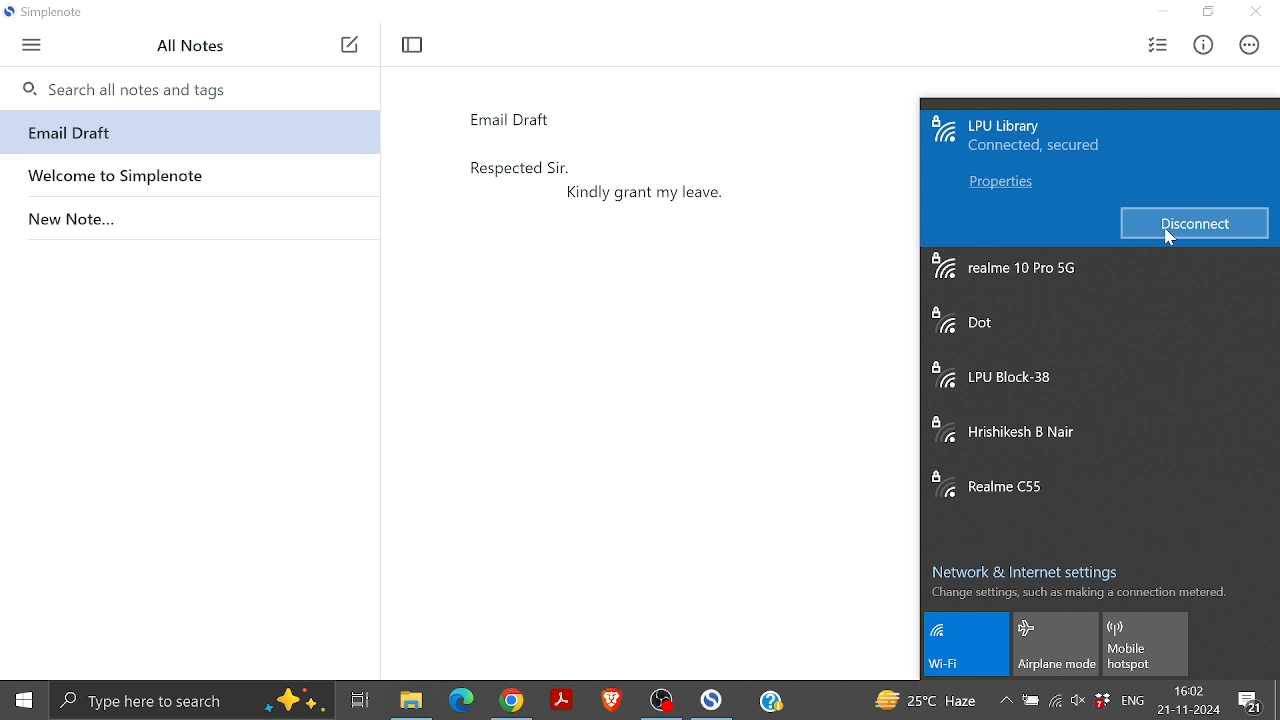  What do you see at coordinates (664, 700) in the screenshot?
I see `OBS studio` at bounding box center [664, 700].